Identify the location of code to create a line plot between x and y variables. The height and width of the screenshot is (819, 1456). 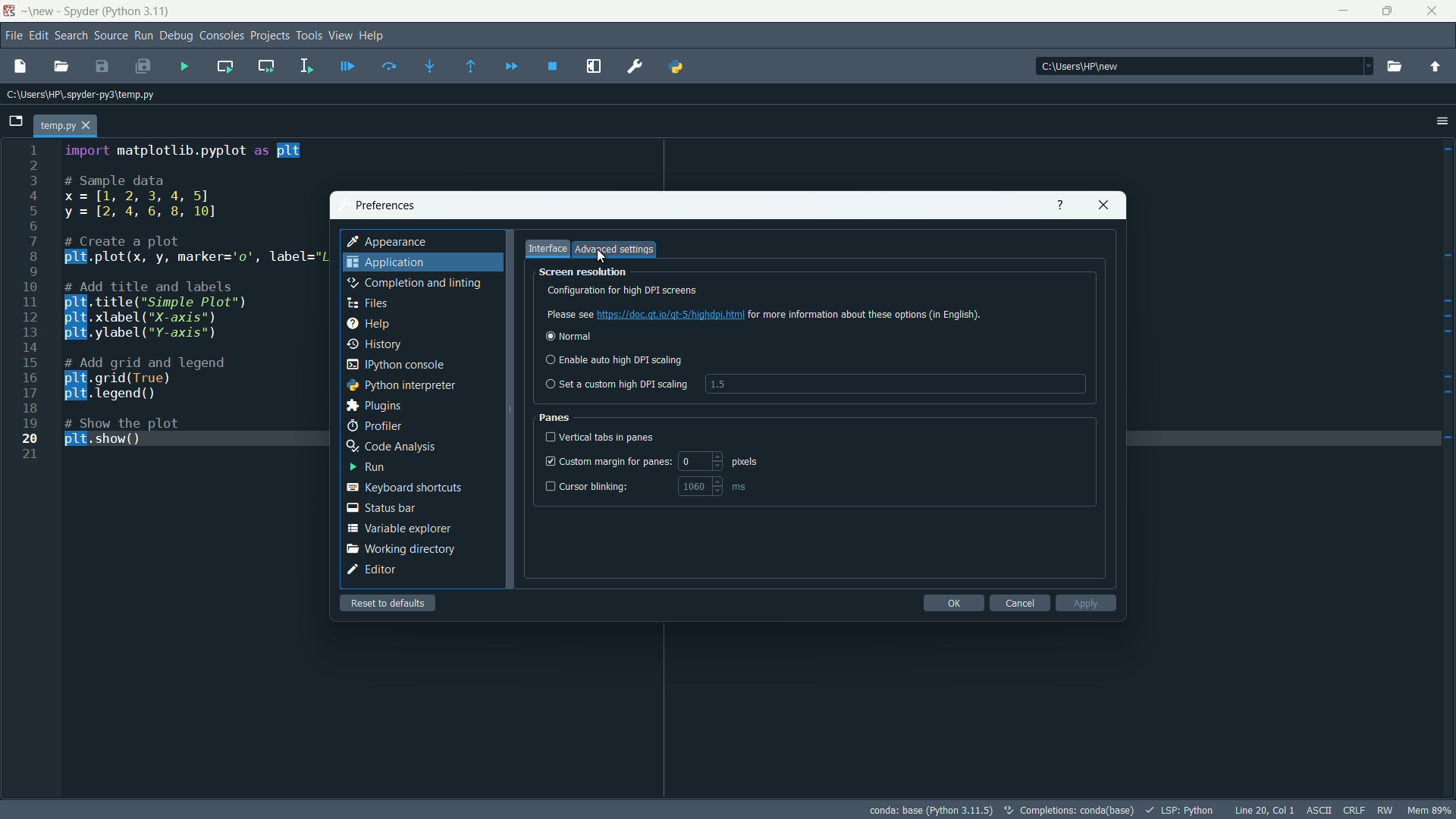
(195, 300).